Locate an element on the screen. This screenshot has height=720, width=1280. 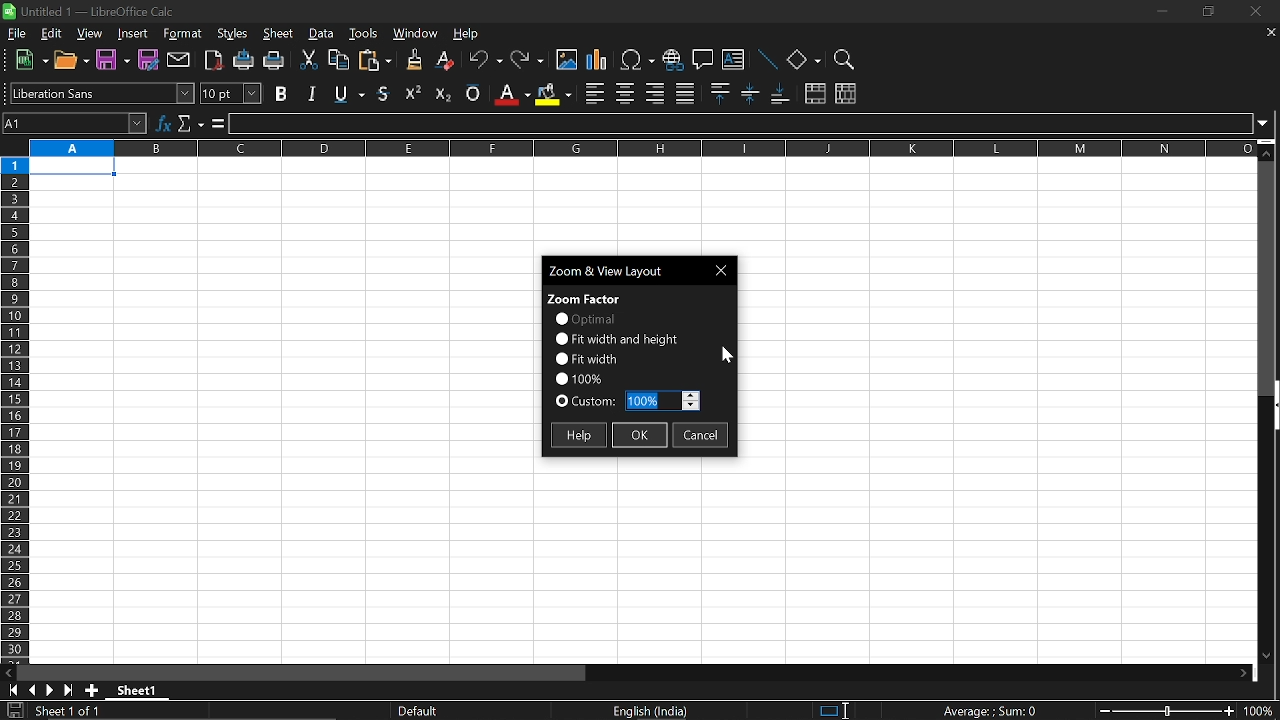
eraser is located at coordinates (446, 61).